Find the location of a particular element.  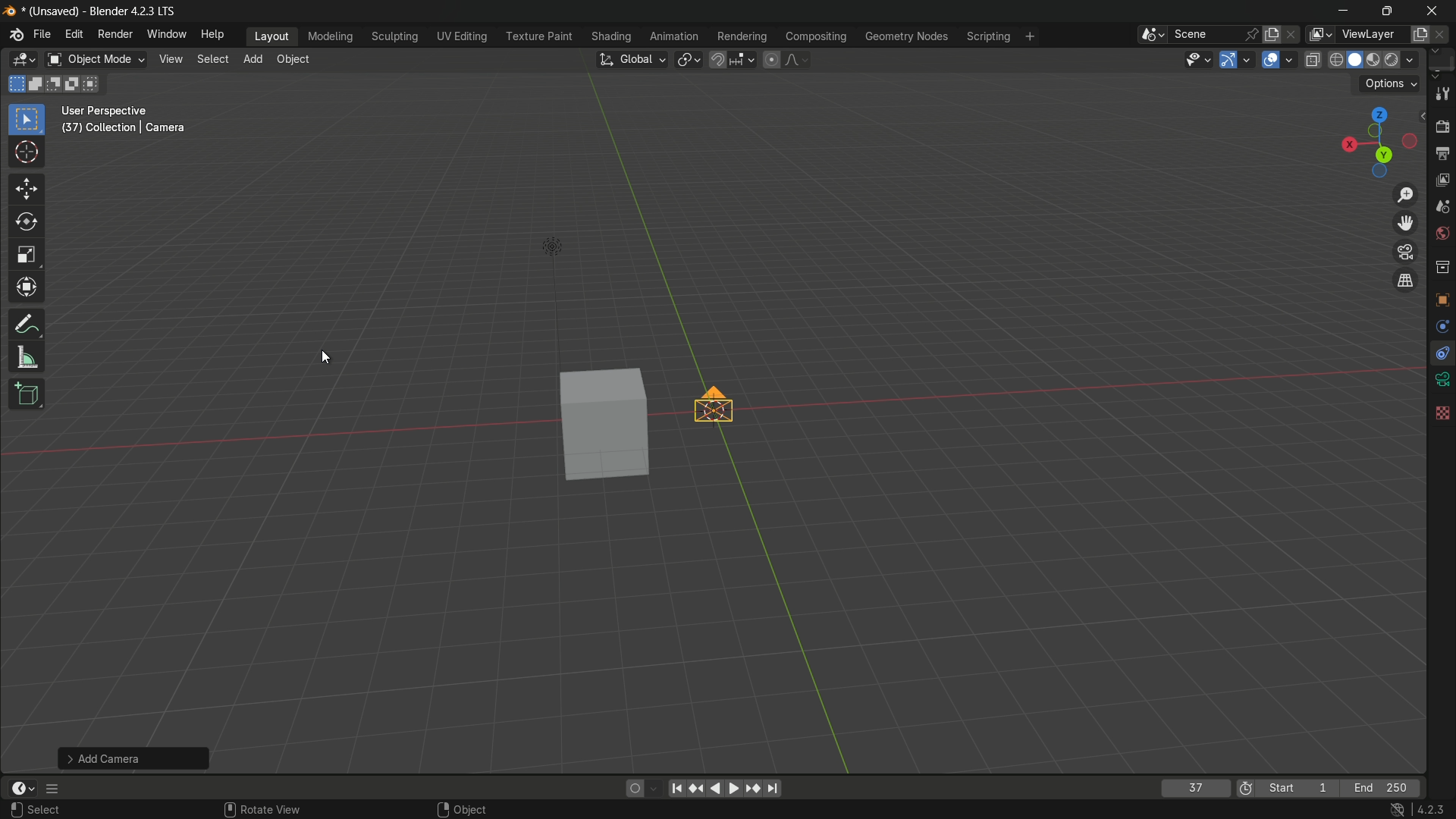

layout menu is located at coordinates (269, 36).